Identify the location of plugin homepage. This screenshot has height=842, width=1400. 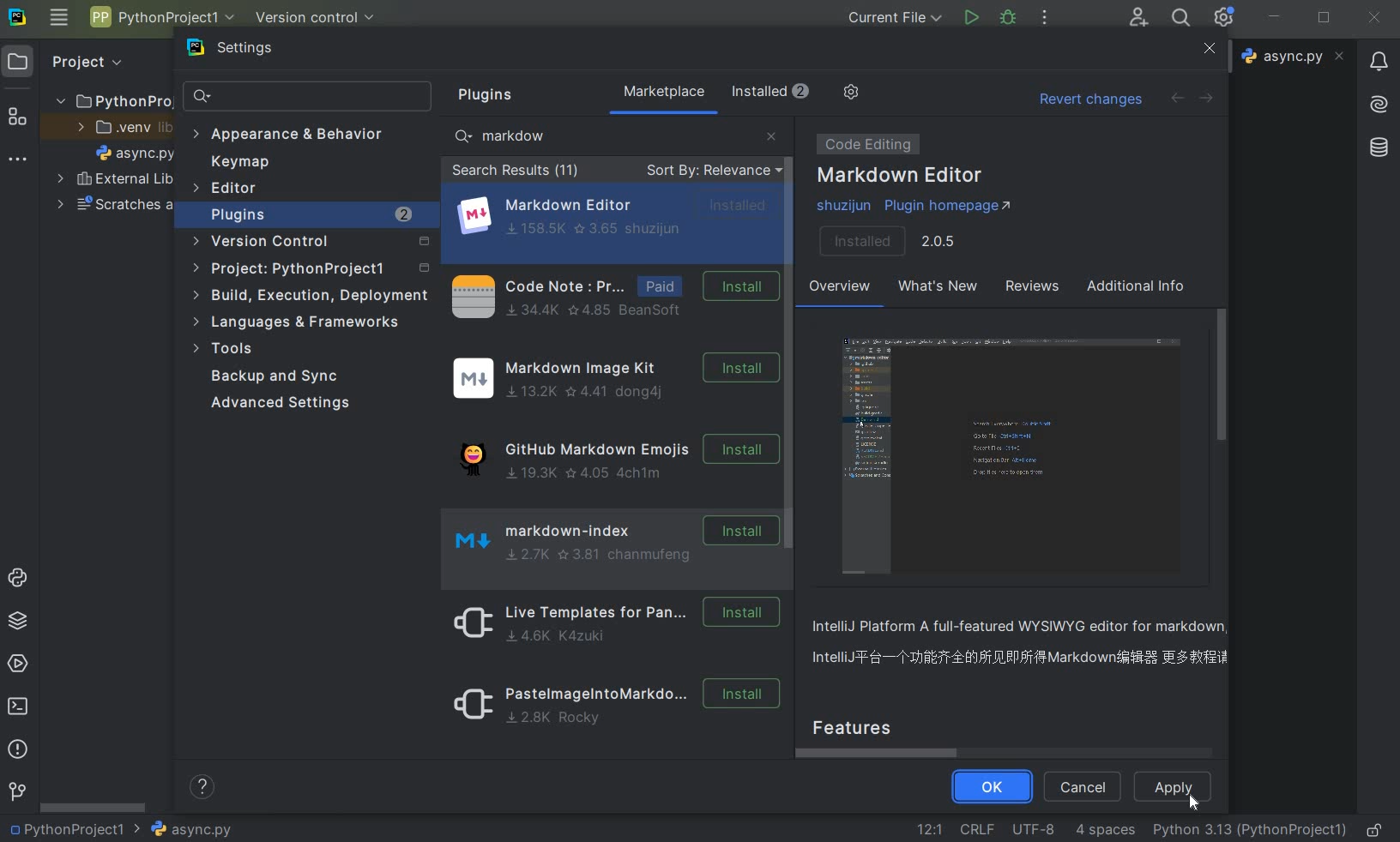
(920, 207).